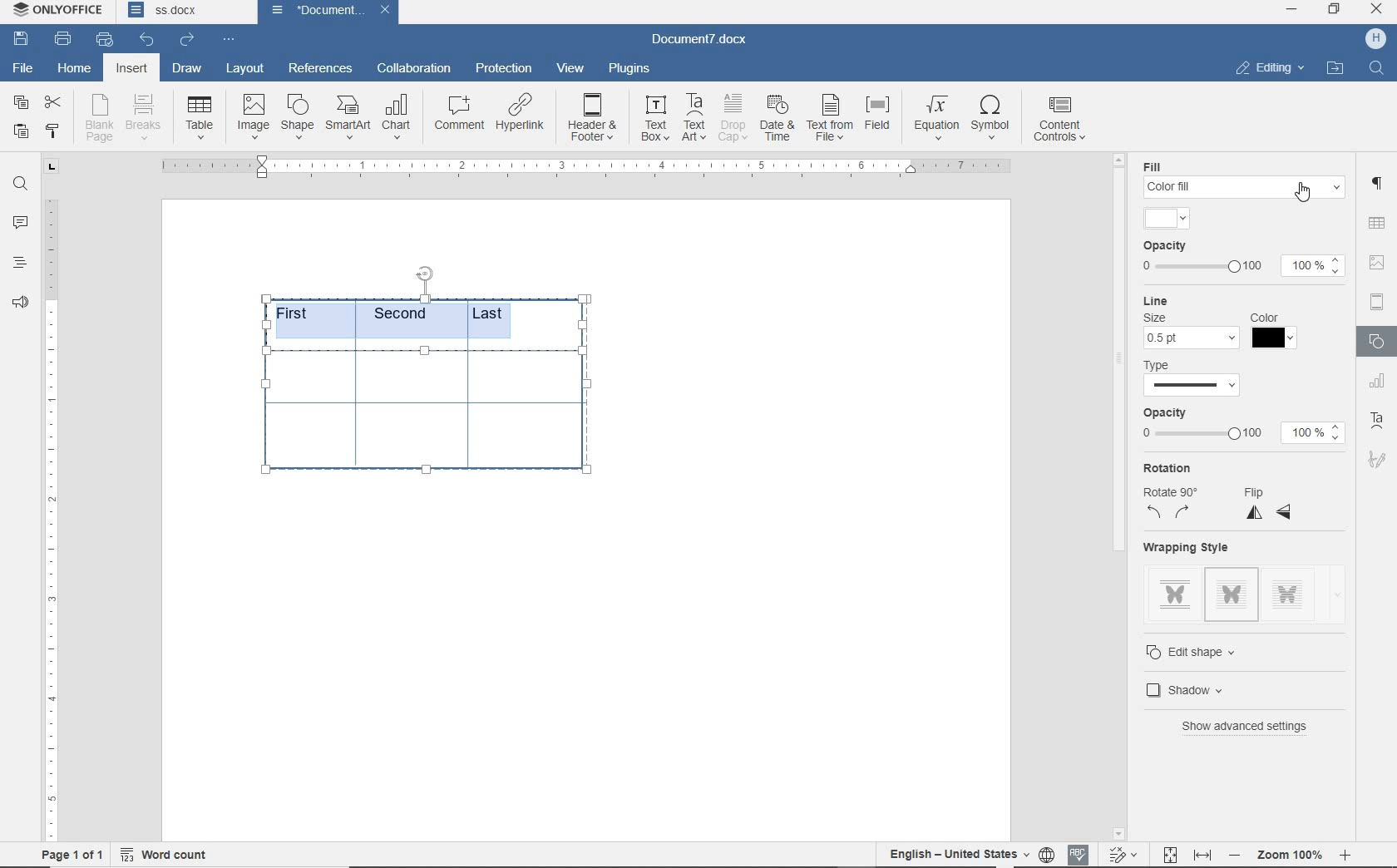  Describe the element at coordinates (1379, 382) in the screenshot. I see `TABLE` at that location.